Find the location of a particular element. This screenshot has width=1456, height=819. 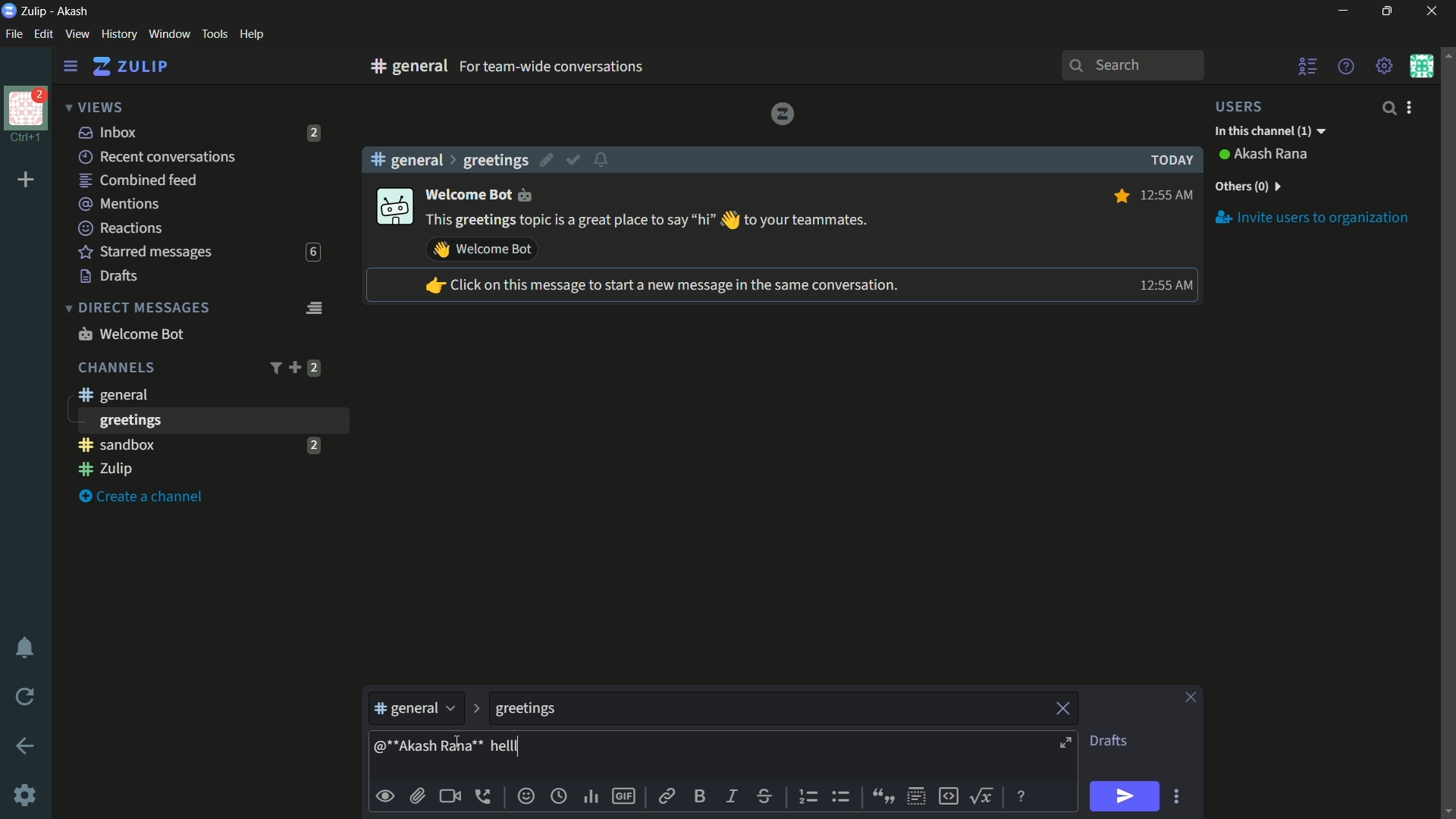

history menu is located at coordinates (119, 33).